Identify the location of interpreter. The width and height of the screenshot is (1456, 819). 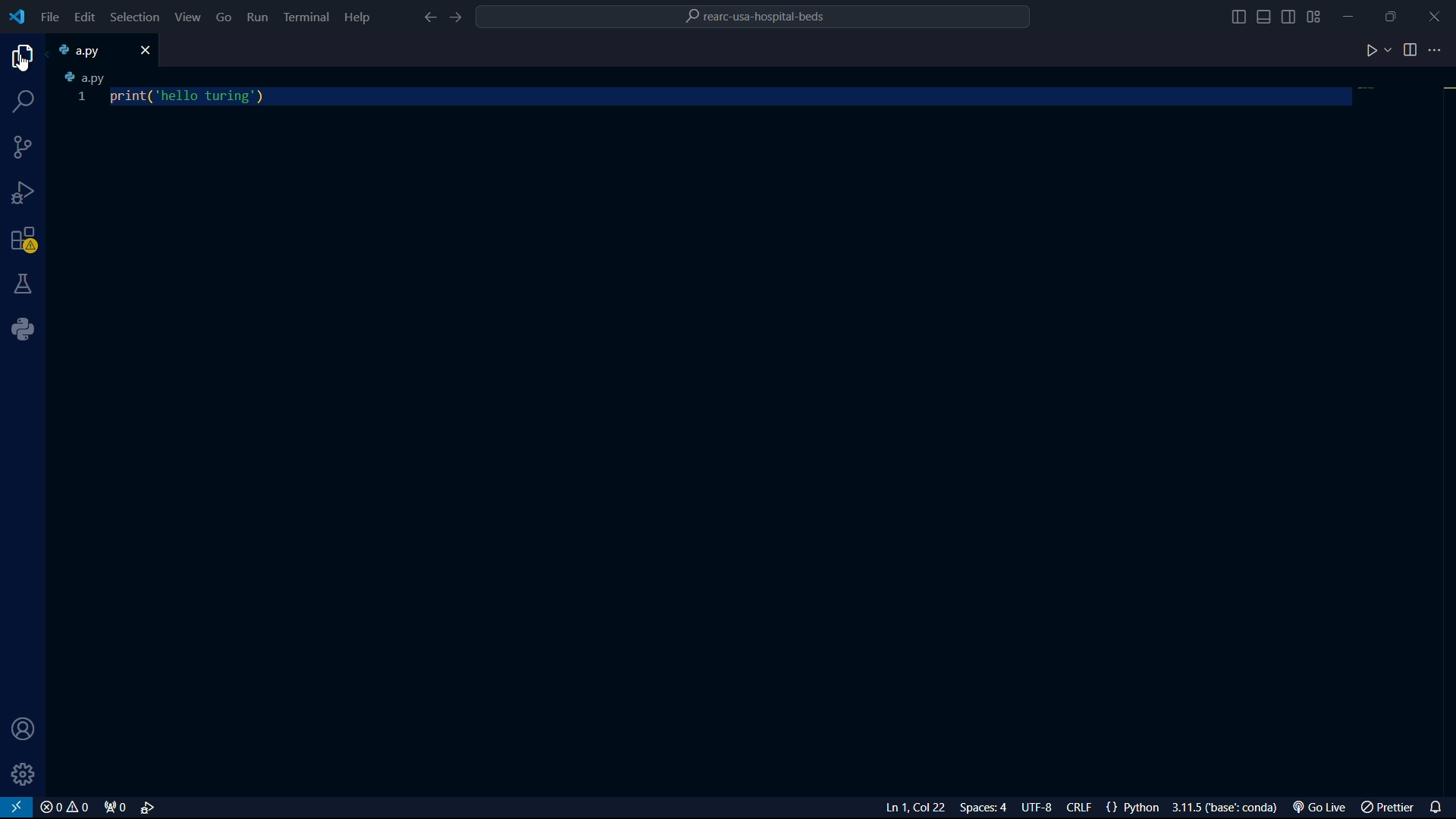
(1225, 808).